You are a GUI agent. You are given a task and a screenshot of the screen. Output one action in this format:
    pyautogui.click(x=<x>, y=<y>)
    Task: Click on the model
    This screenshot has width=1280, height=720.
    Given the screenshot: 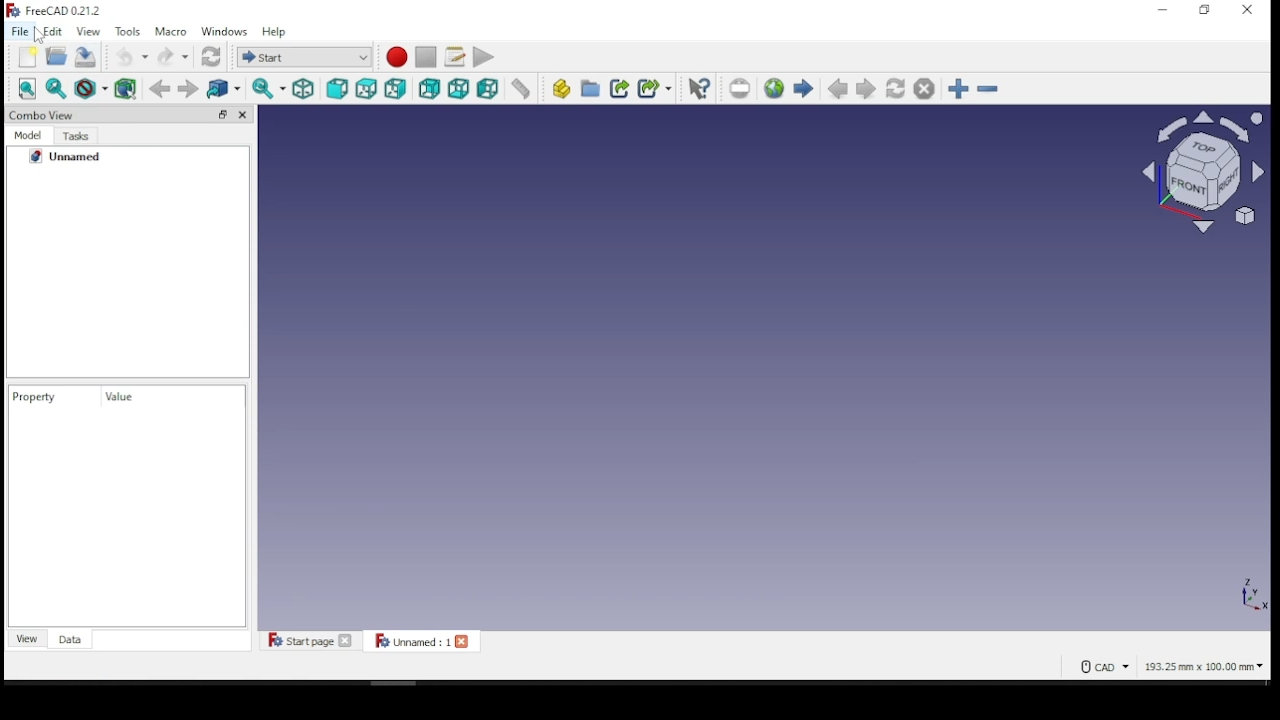 What is the action you would take?
    pyautogui.click(x=30, y=137)
    